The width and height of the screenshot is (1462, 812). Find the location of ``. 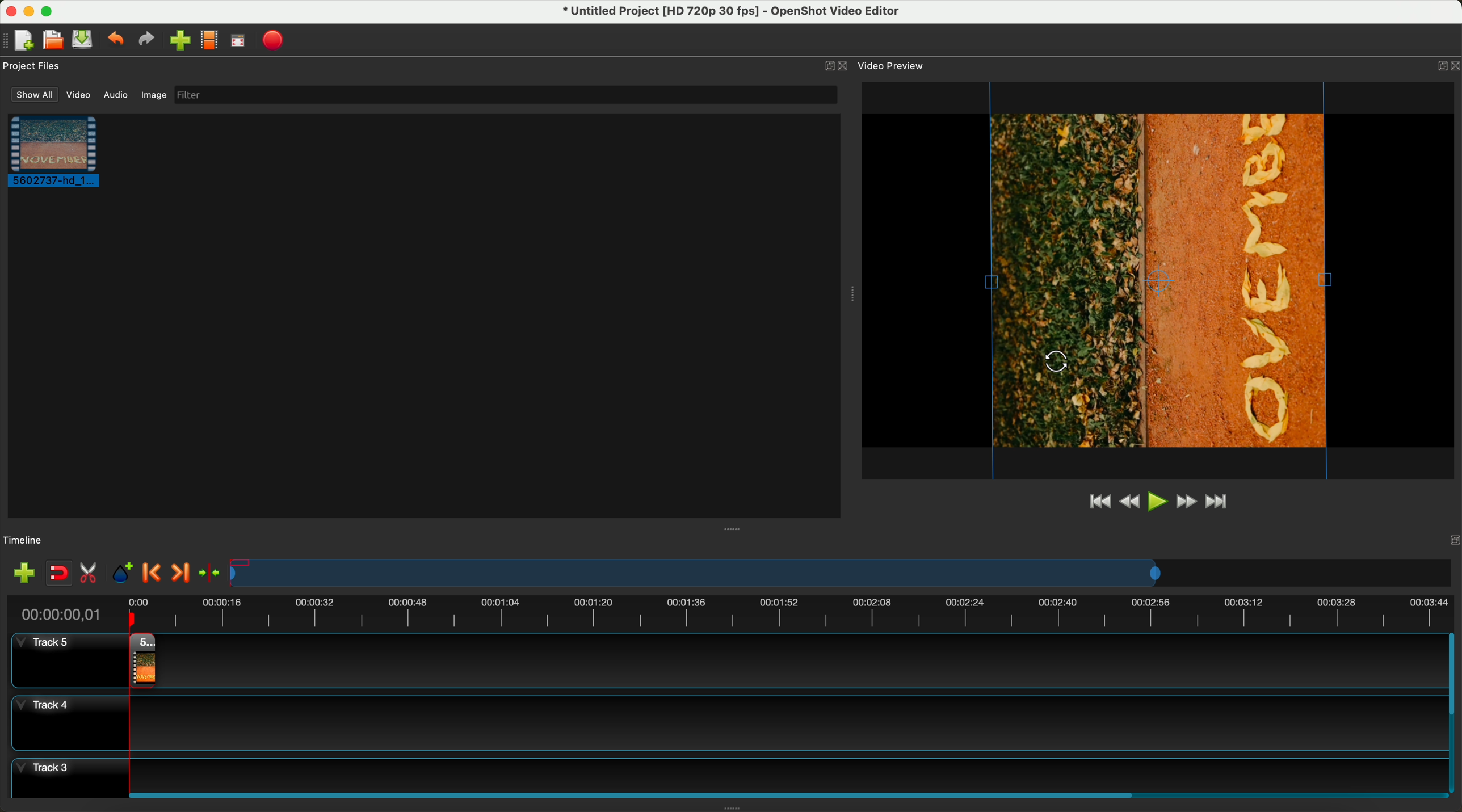

 is located at coordinates (734, 528).